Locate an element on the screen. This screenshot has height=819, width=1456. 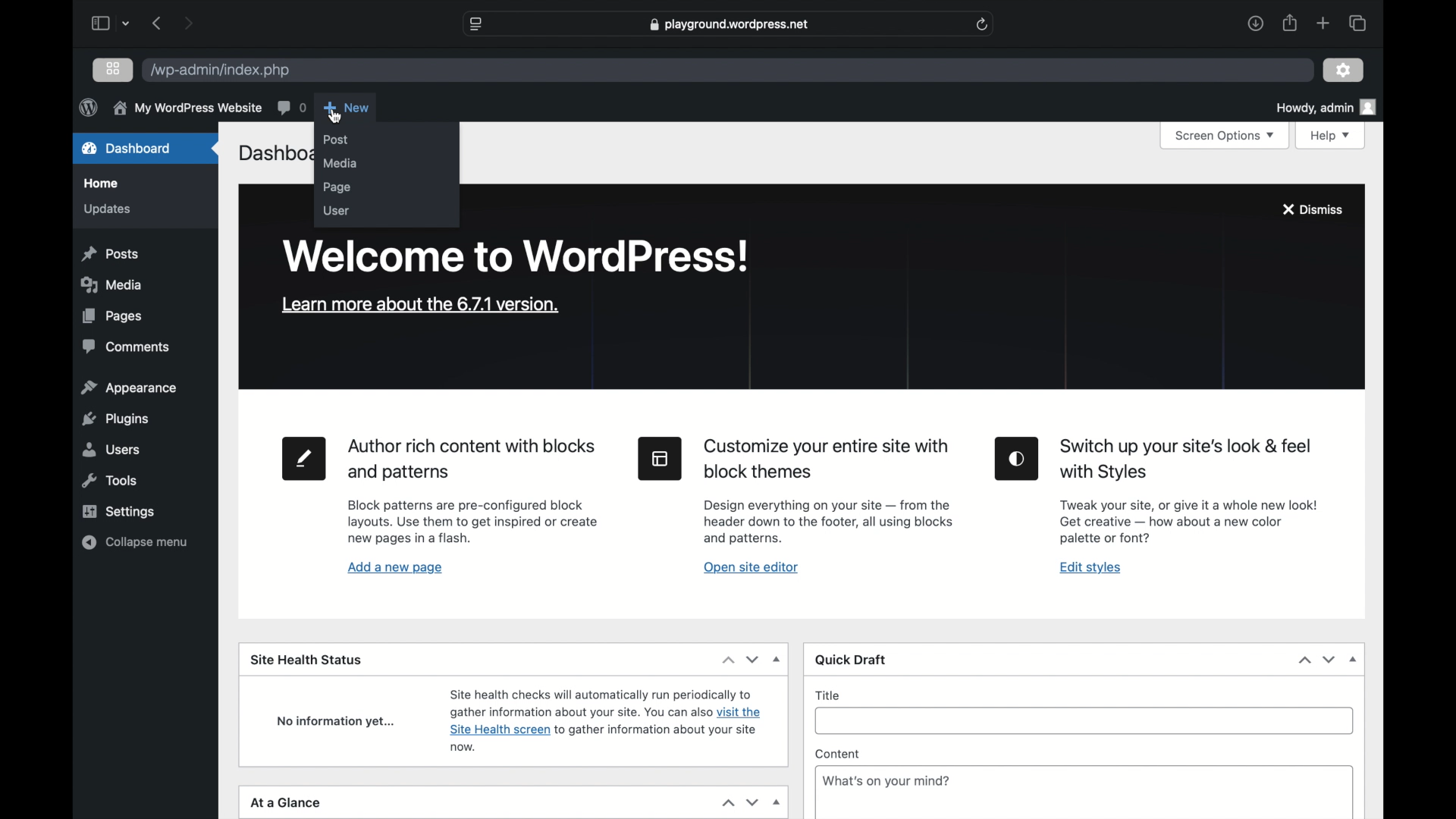
dashboard is located at coordinates (127, 148).